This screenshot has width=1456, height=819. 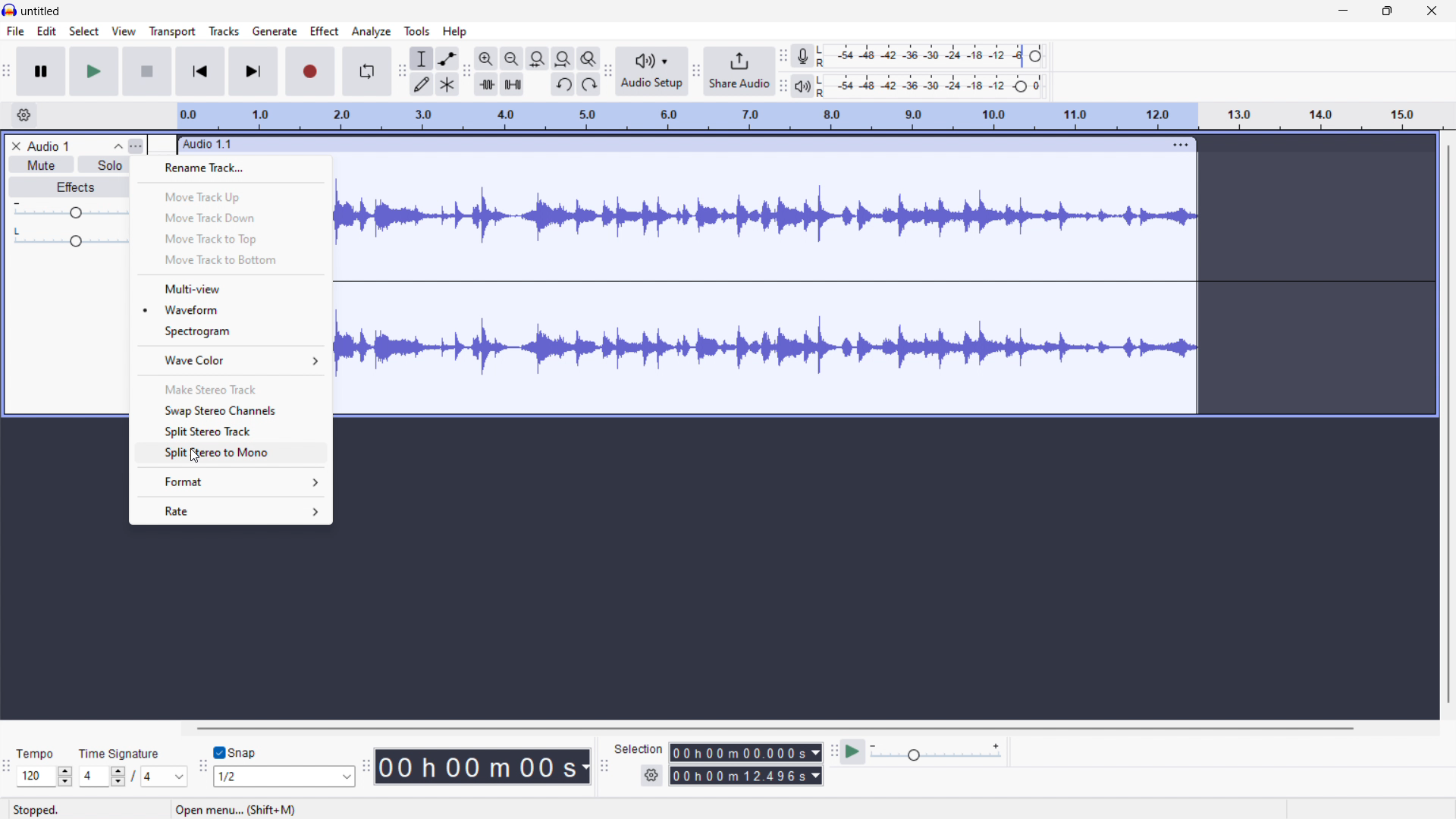 What do you see at coordinates (935, 752) in the screenshot?
I see `playback speed` at bounding box center [935, 752].